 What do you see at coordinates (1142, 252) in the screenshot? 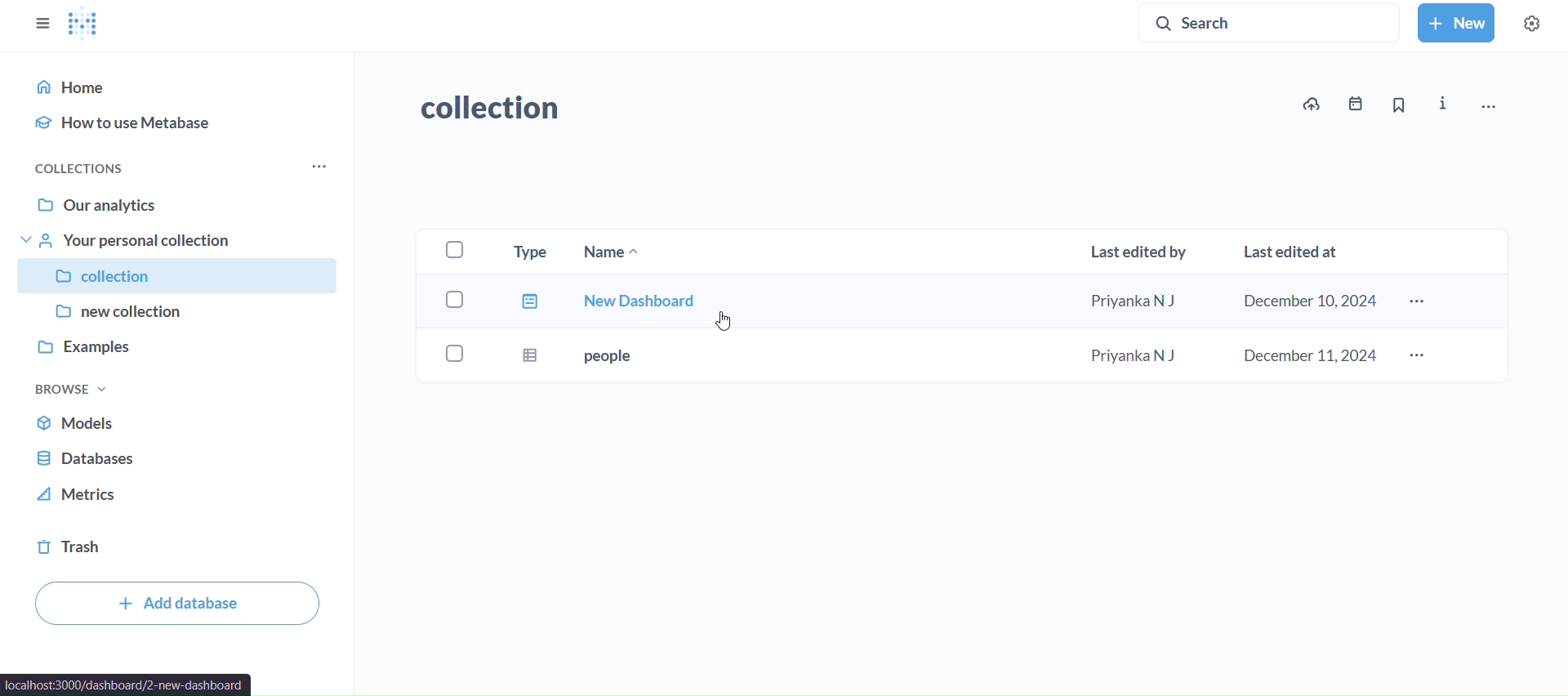
I see `last edited by` at bounding box center [1142, 252].